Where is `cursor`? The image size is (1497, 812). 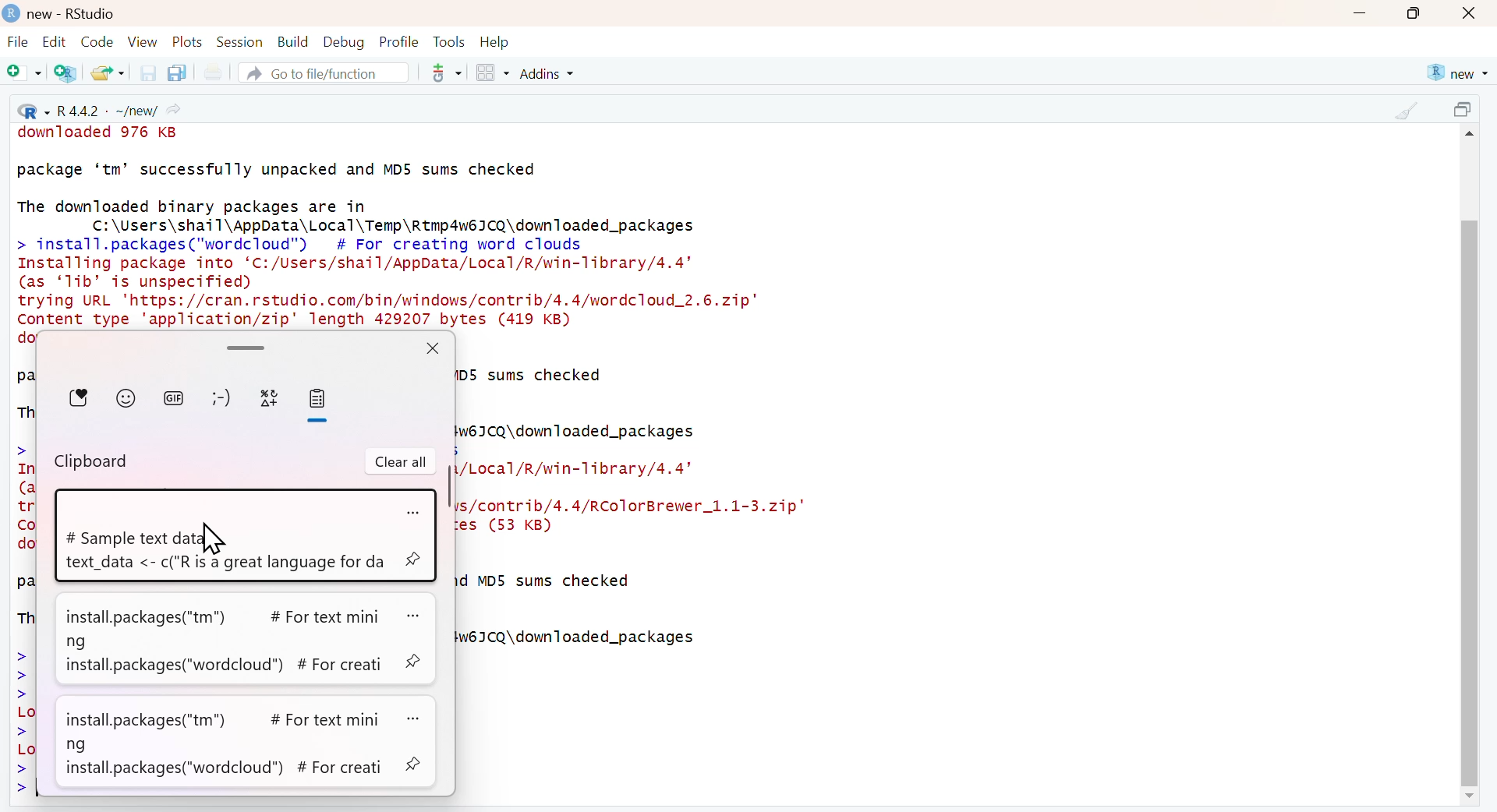 cursor is located at coordinates (213, 538).